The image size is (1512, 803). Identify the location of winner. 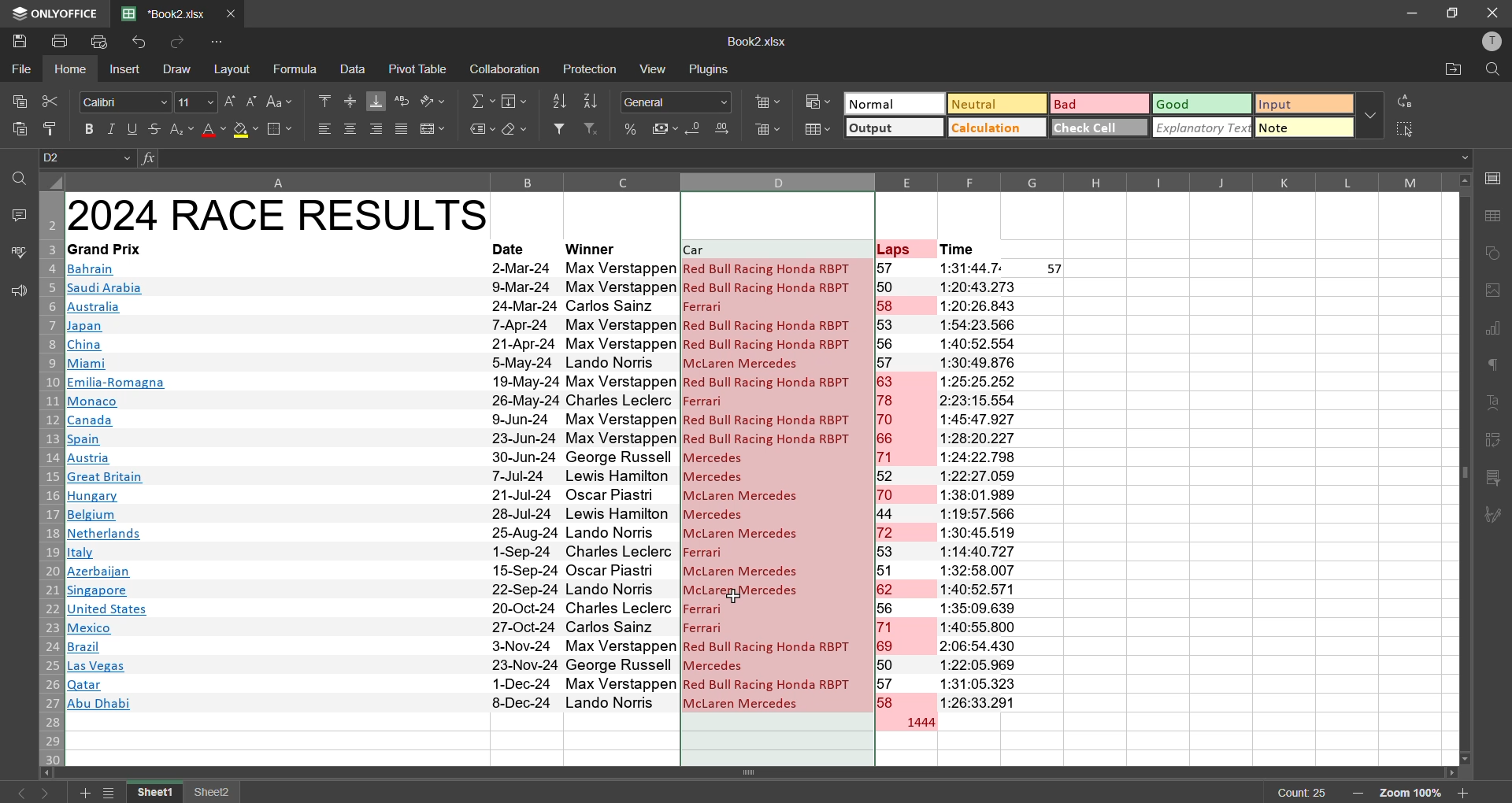
(594, 248).